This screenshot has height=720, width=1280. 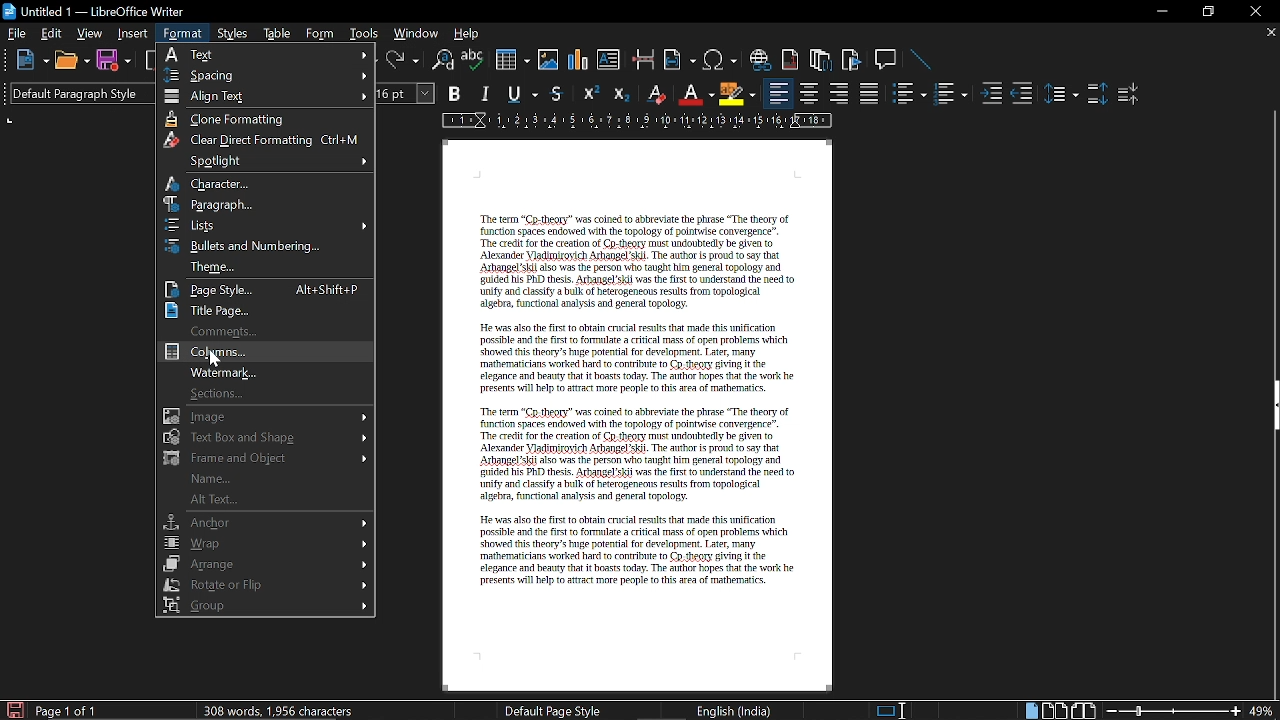 What do you see at coordinates (759, 60) in the screenshot?
I see `Insert link` at bounding box center [759, 60].